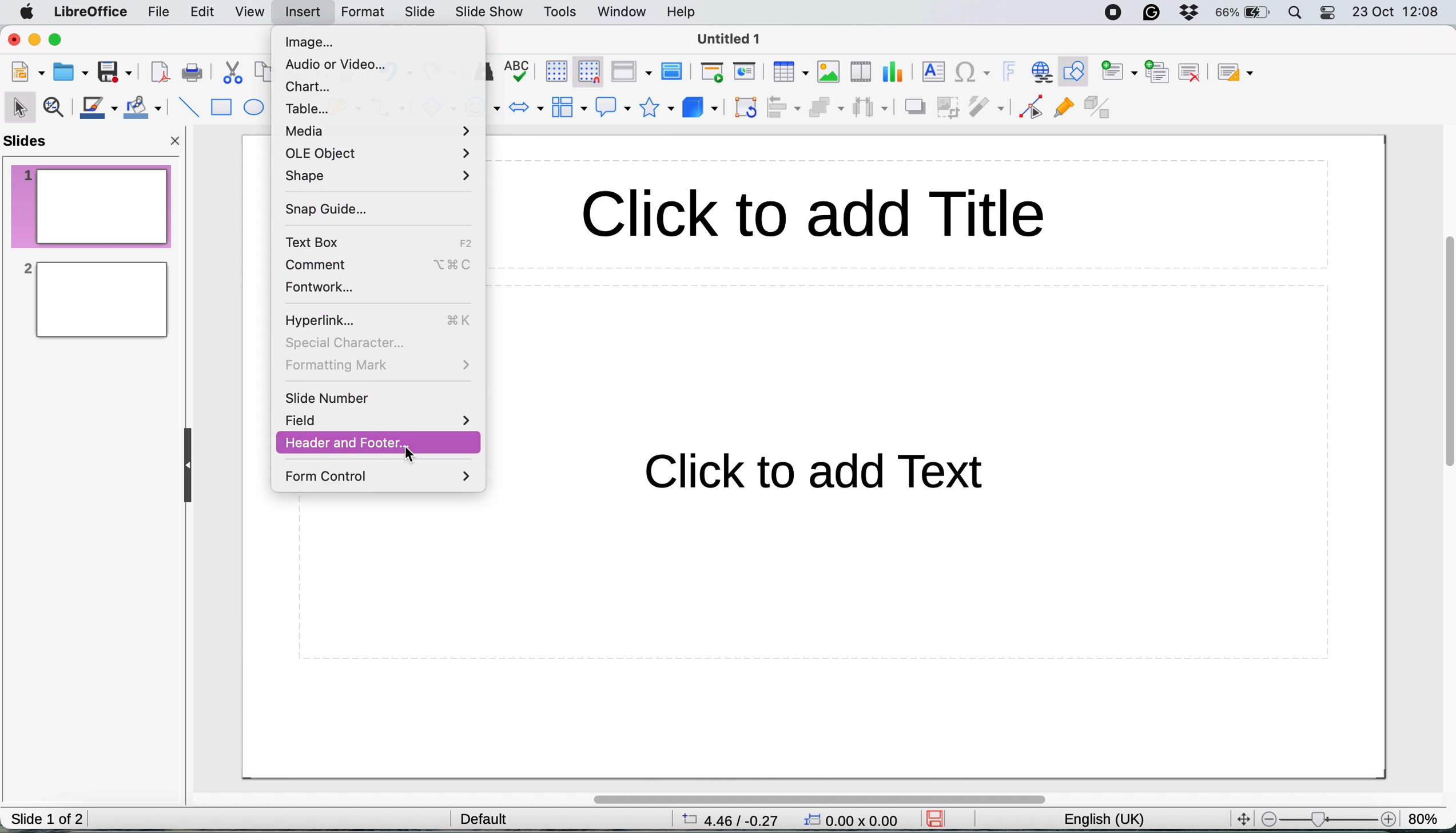 Image resolution: width=1456 pixels, height=833 pixels. Describe the element at coordinates (98, 108) in the screenshot. I see `line color` at that location.